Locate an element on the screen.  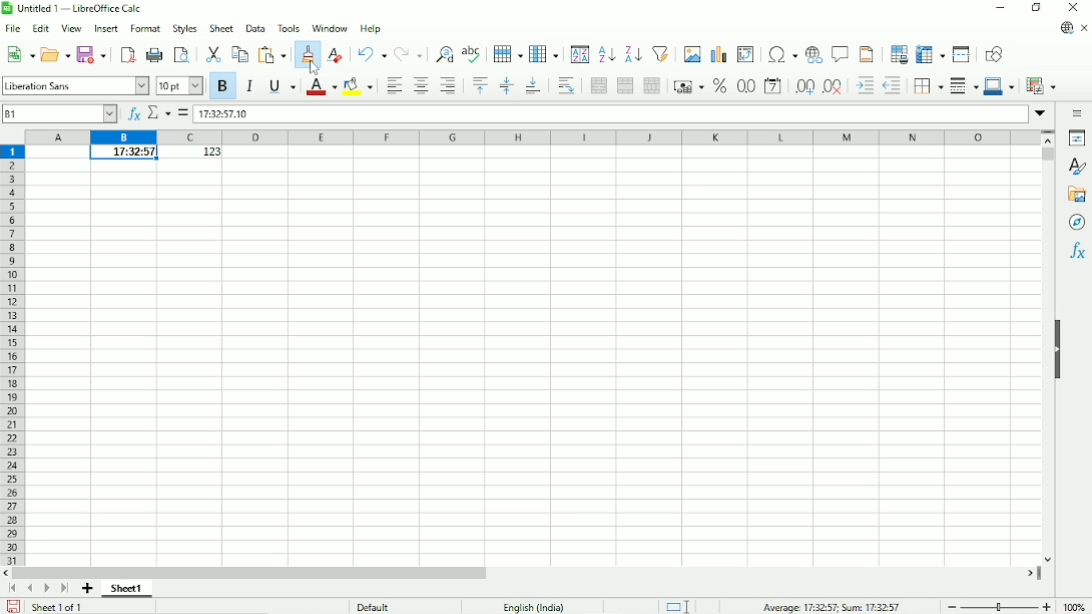
Vertical scrollbar is located at coordinates (1047, 157).